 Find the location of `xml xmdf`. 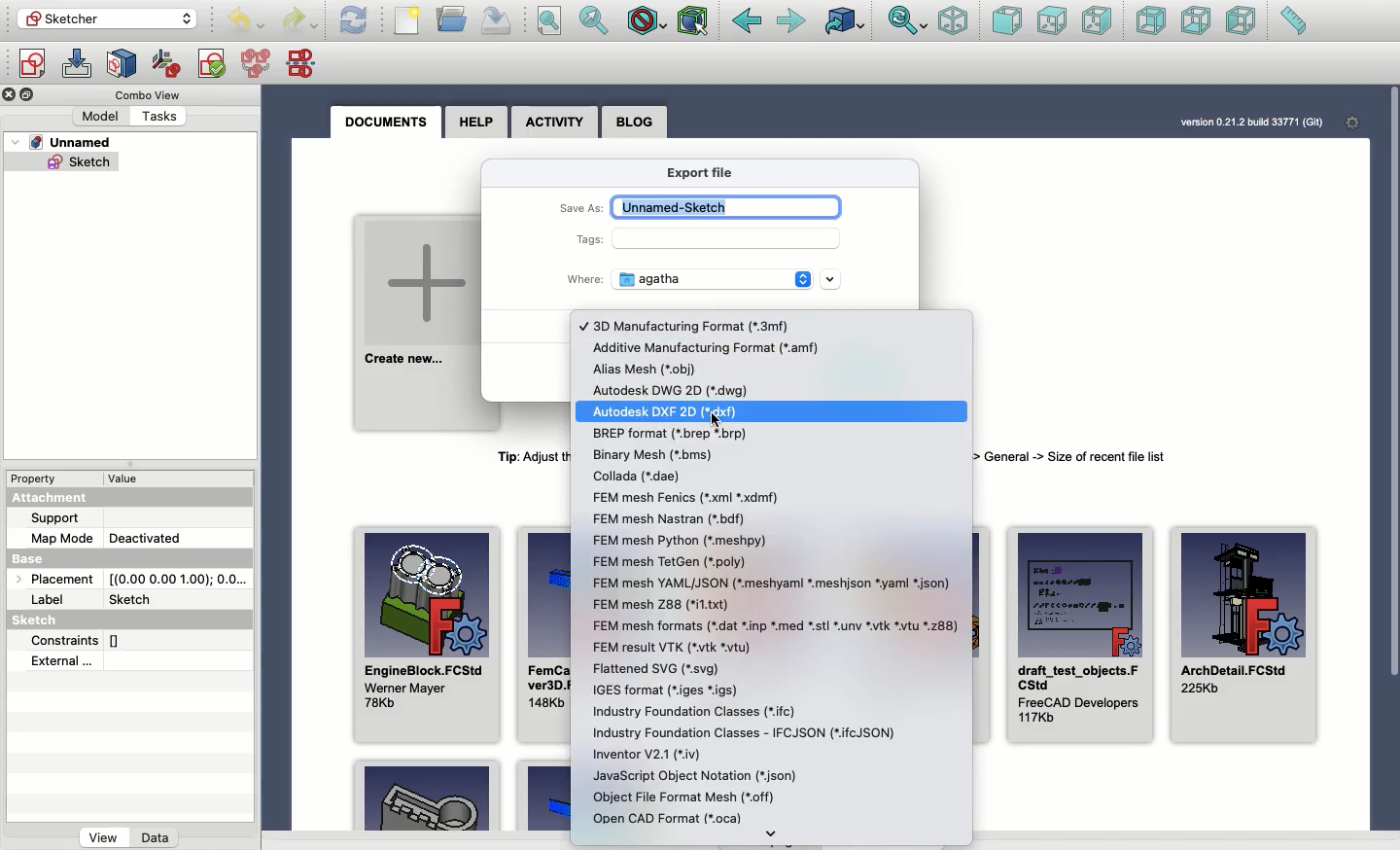

xml xmdf is located at coordinates (688, 497).